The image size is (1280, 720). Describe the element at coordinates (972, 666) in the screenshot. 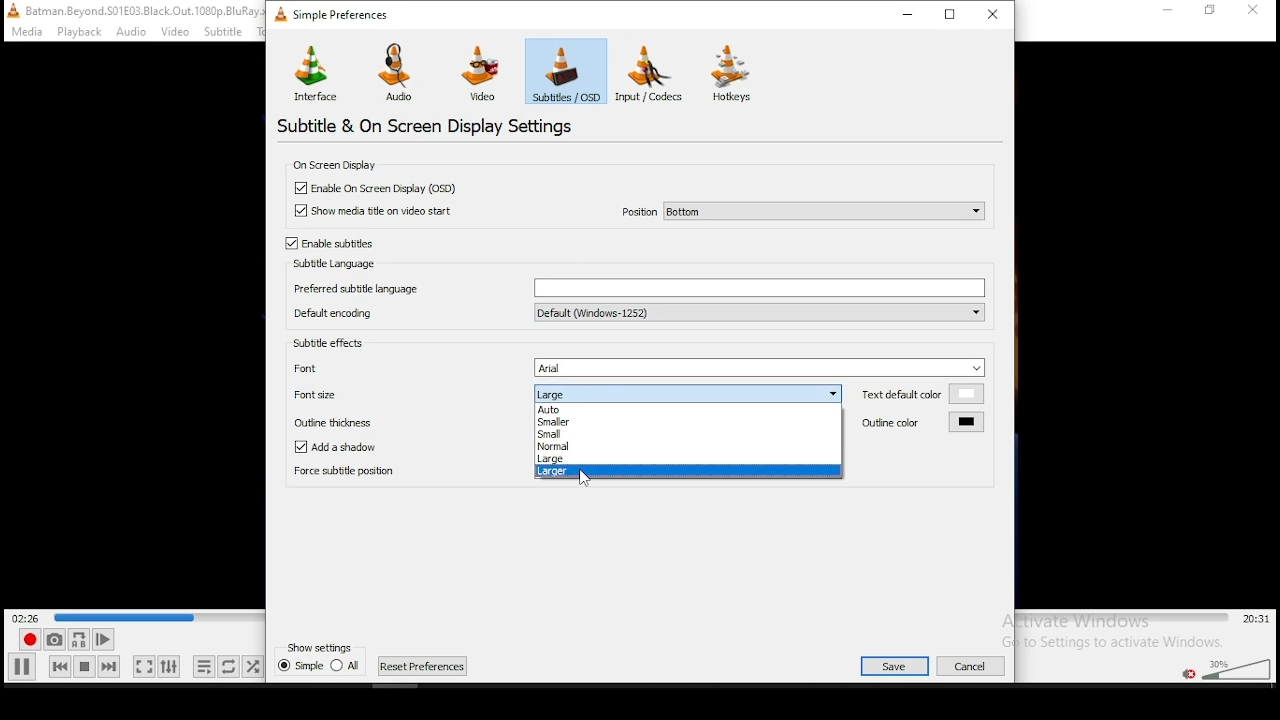

I see `cancel` at that location.